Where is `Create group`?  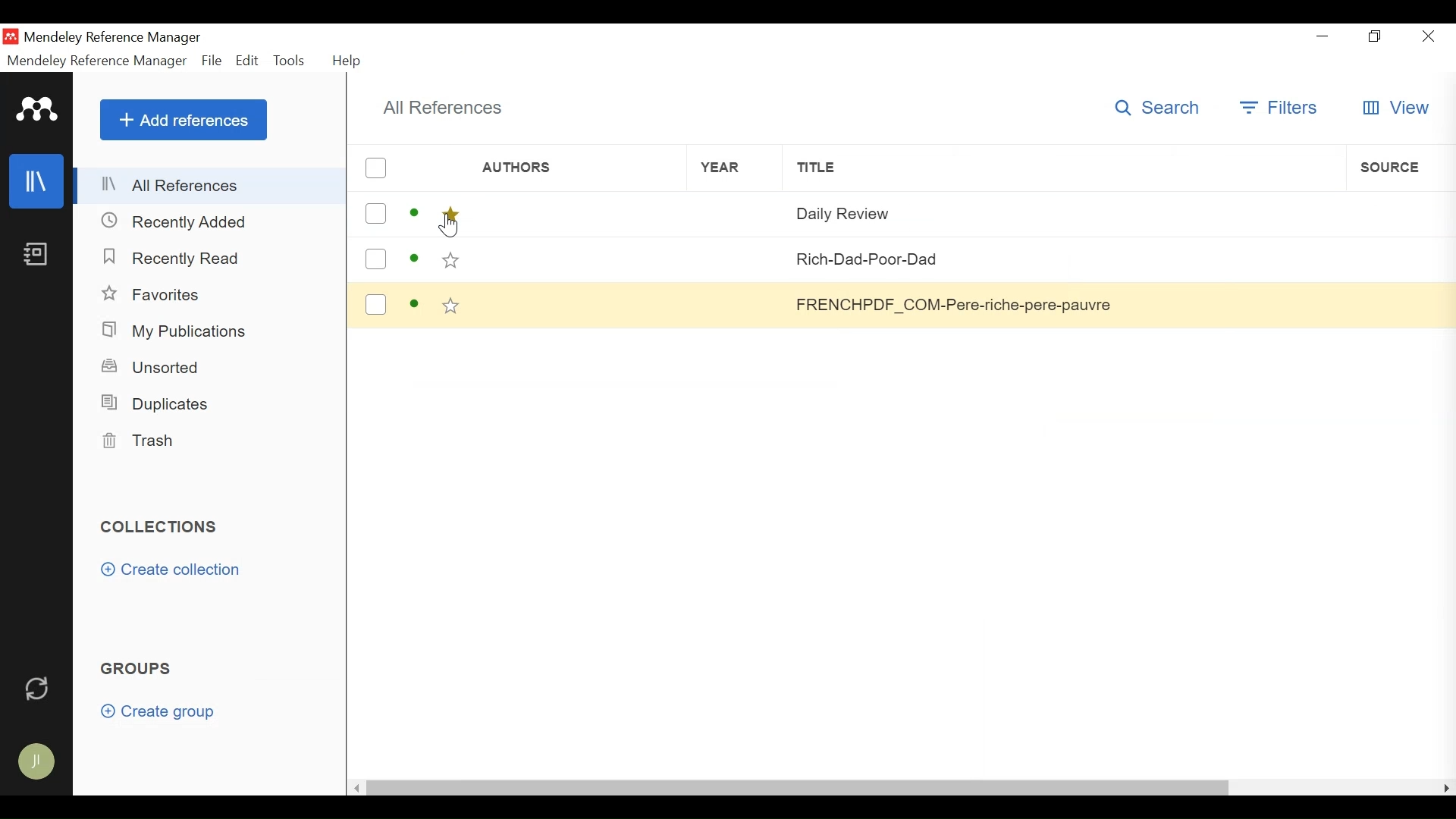 Create group is located at coordinates (157, 711).